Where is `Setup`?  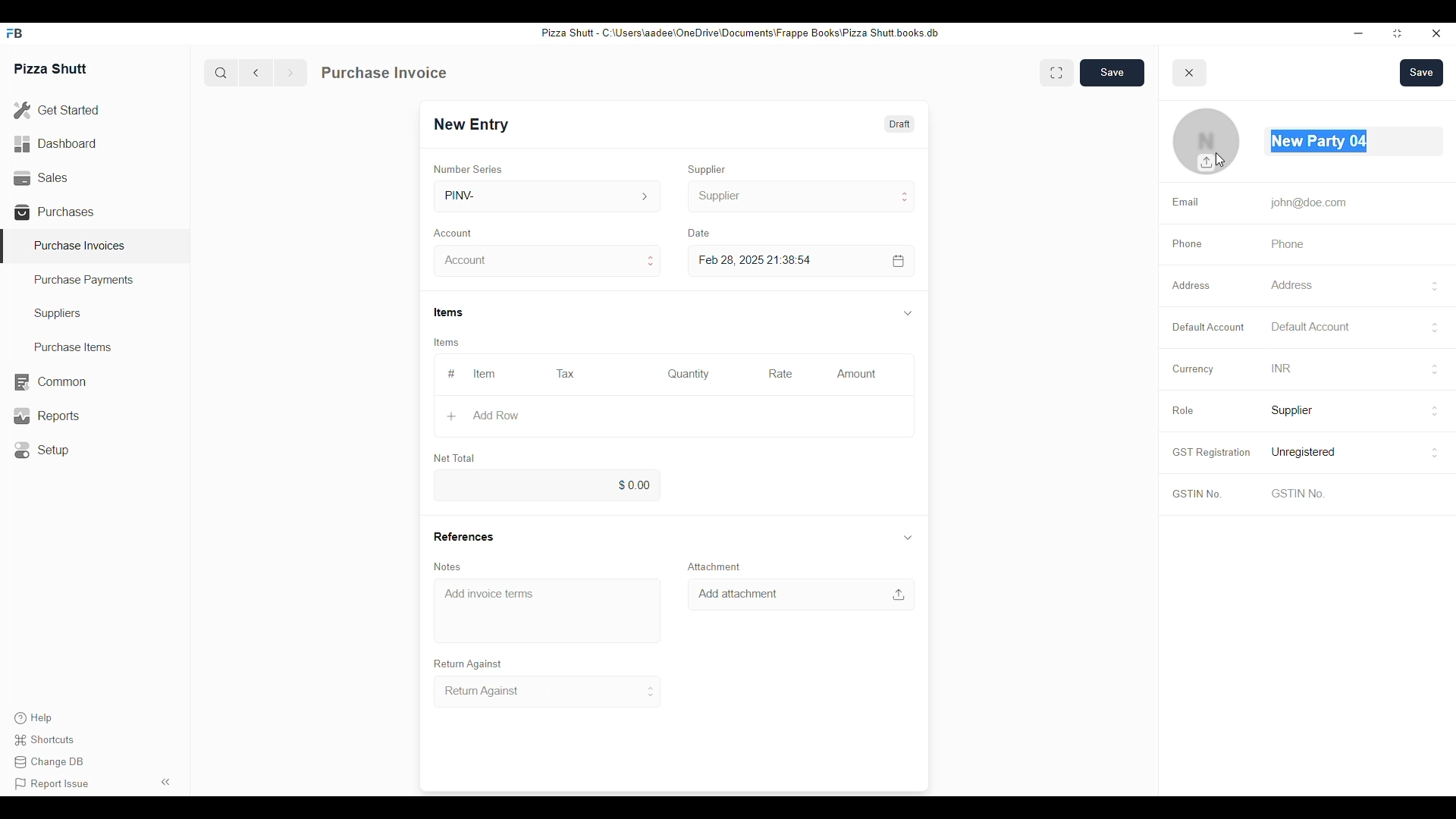
Setup is located at coordinates (45, 450).